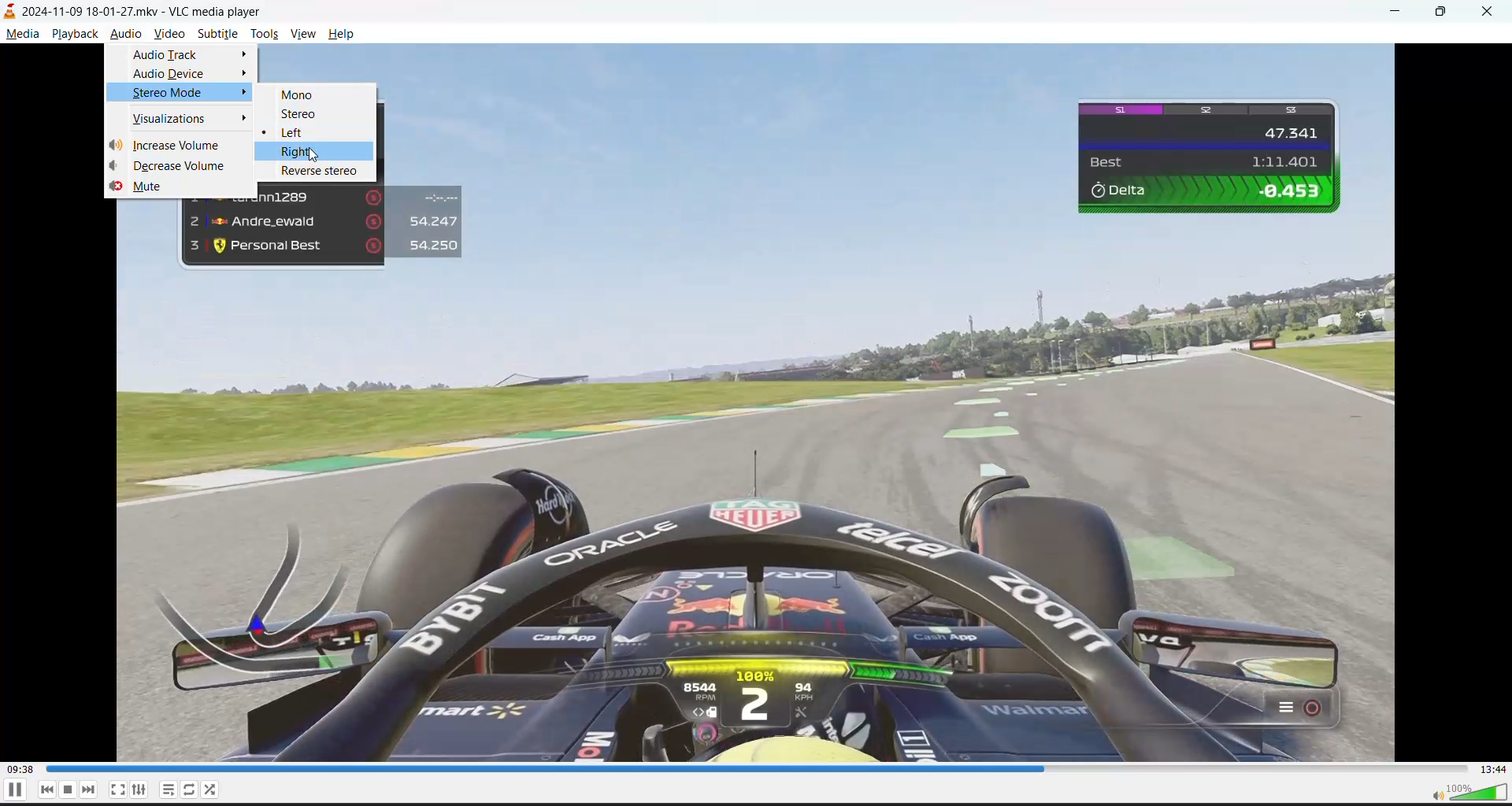  Describe the element at coordinates (47, 789) in the screenshot. I see `previous` at that location.